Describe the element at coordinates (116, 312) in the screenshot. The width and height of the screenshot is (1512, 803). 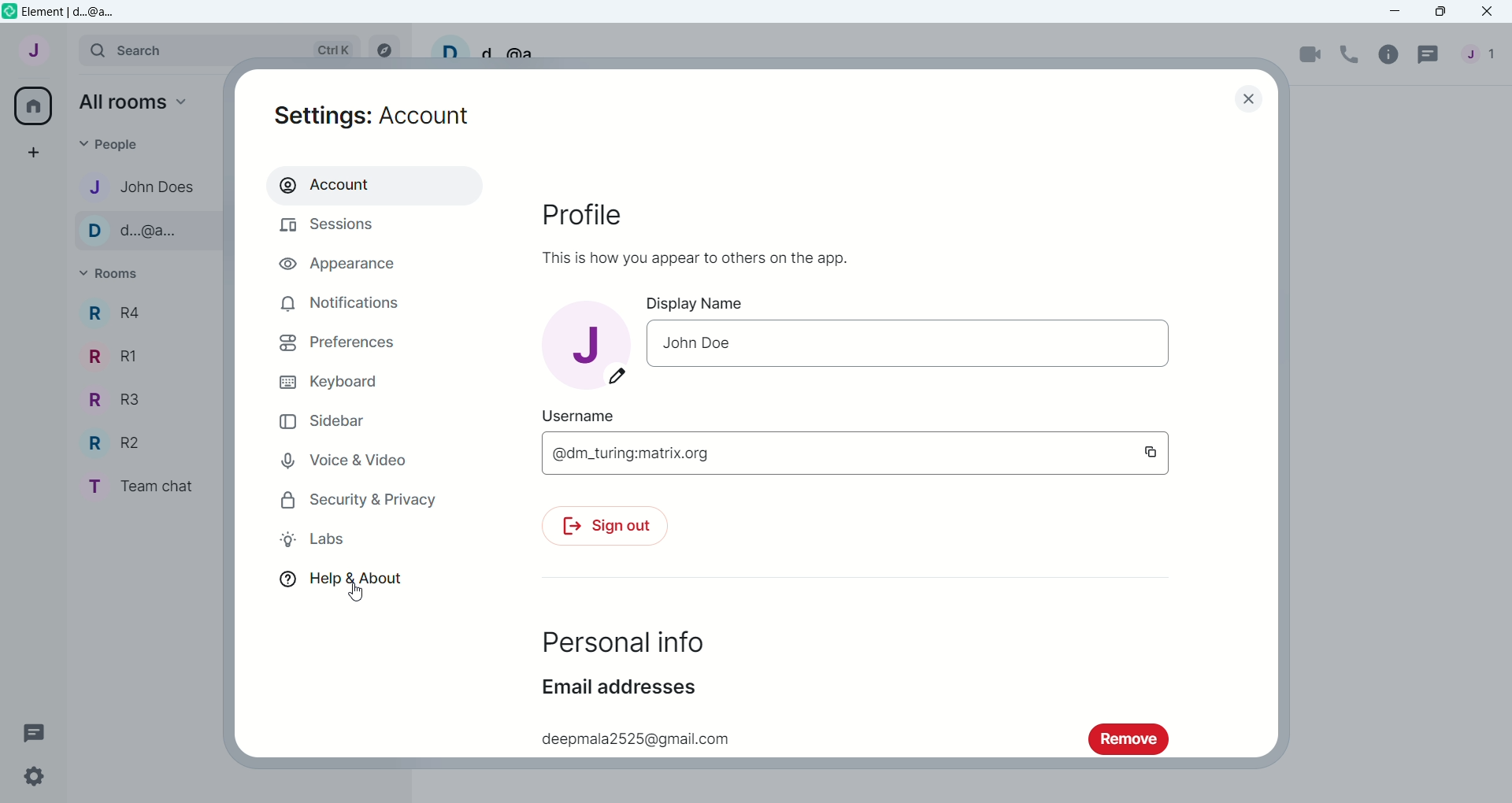
I see `Room R4` at that location.